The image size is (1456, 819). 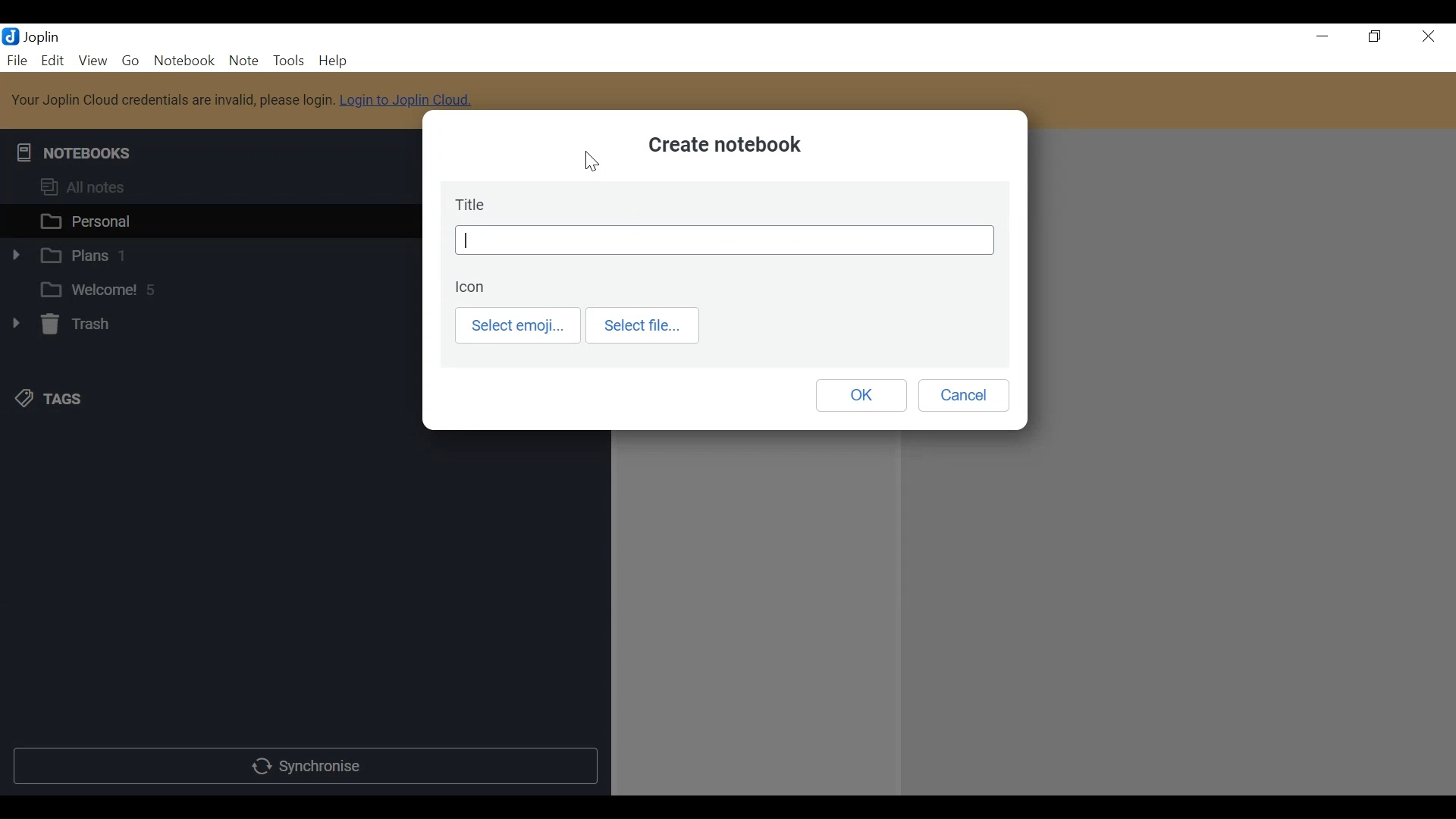 What do you see at coordinates (131, 59) in the screenshot?
I see `Go` at bounding box center [131, 59].